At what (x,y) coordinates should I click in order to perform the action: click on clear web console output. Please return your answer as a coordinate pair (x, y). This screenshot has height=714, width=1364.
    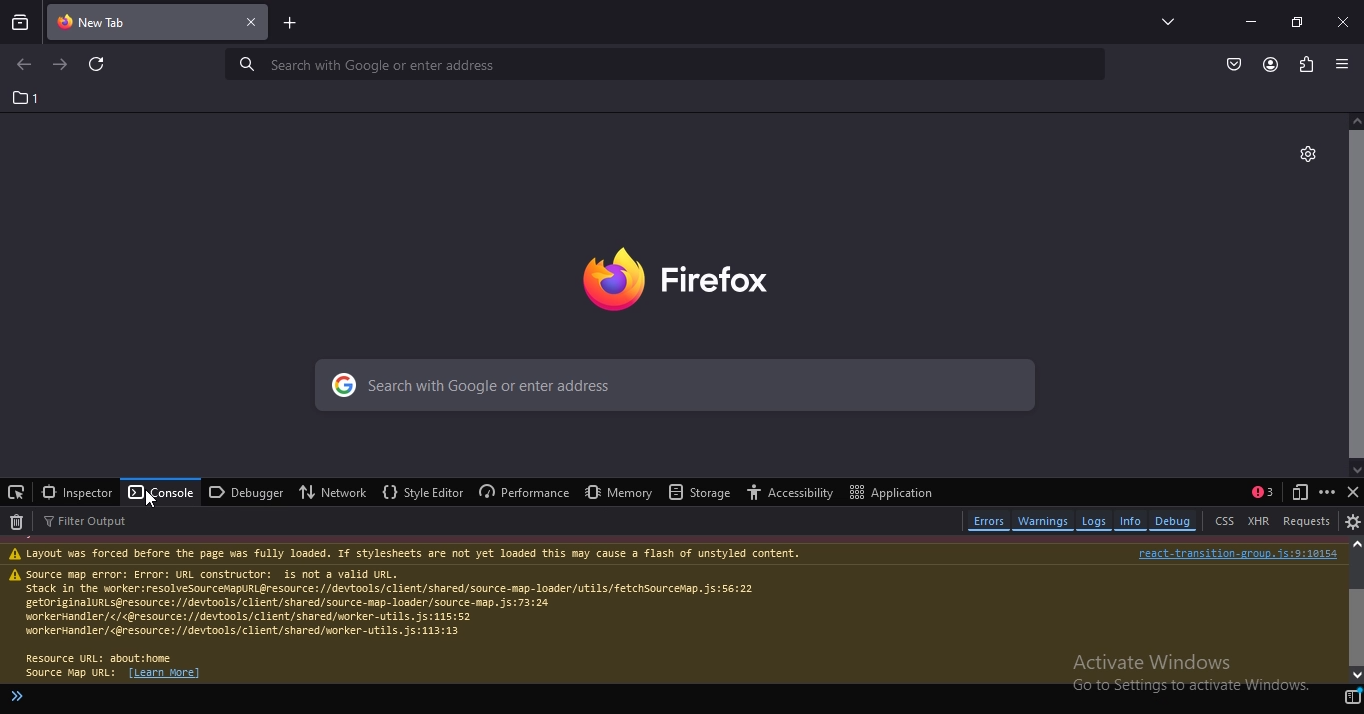
    Looking at the image, I should click on (17, 523).